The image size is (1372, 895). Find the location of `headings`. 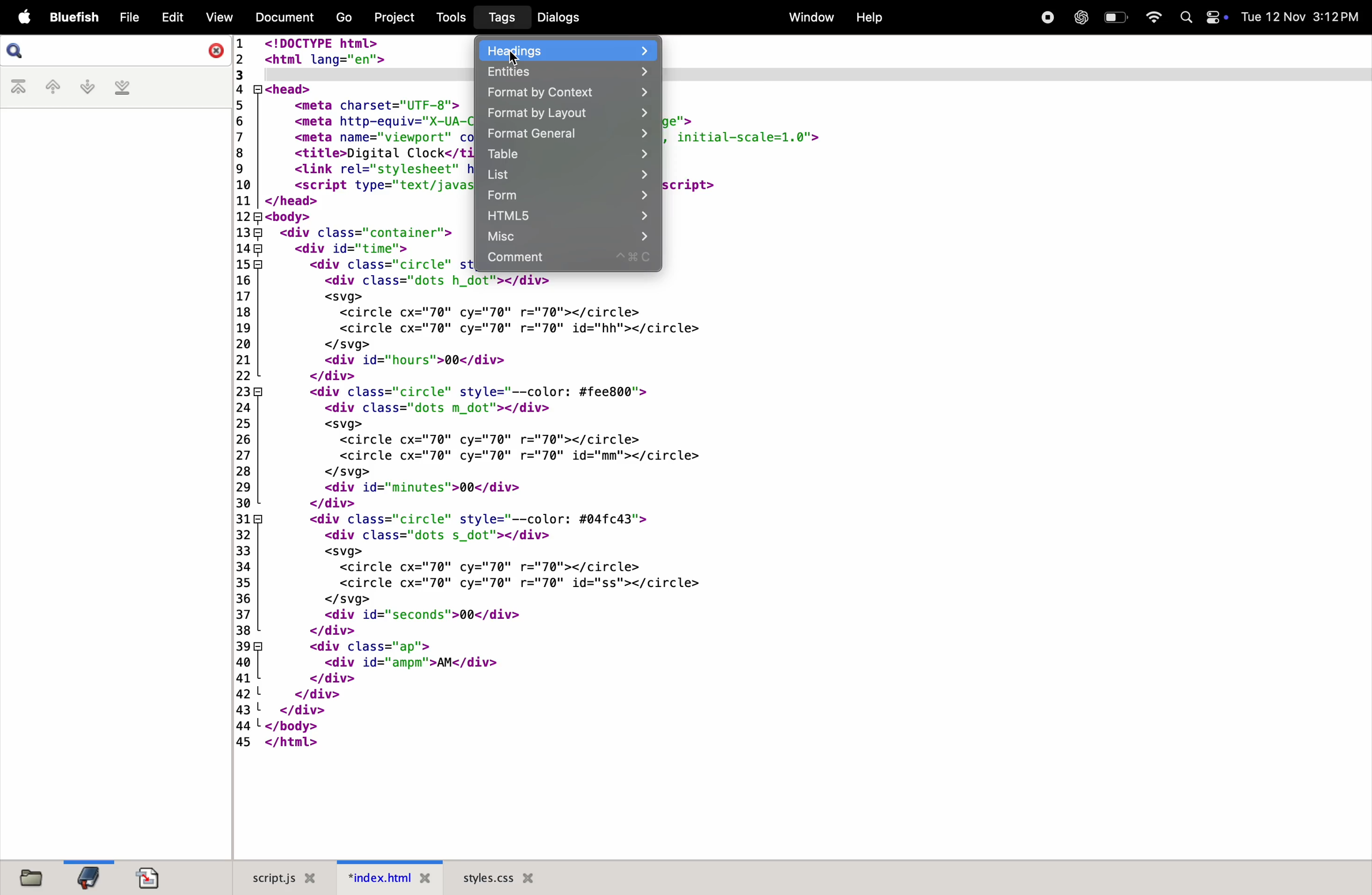

headings is located at coordinates (568, 50).